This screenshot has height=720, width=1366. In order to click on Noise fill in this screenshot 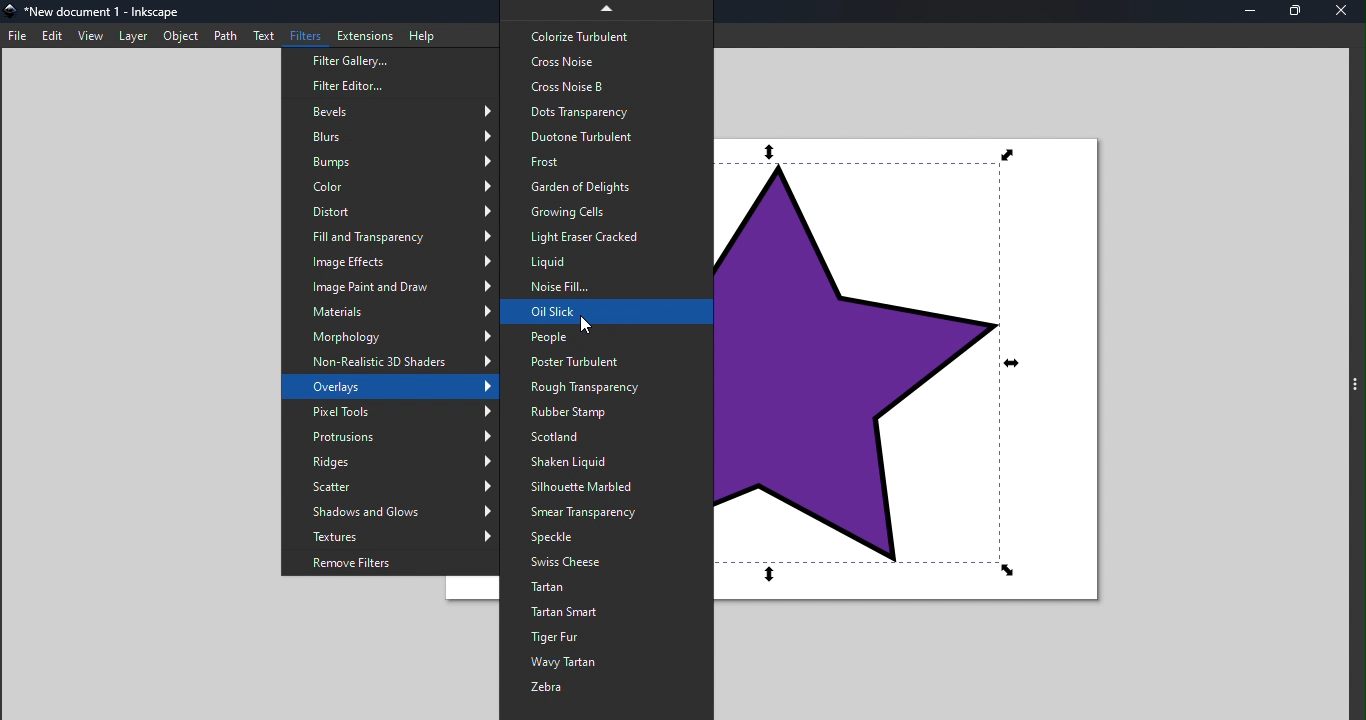, I will do `click(605, 286)`.